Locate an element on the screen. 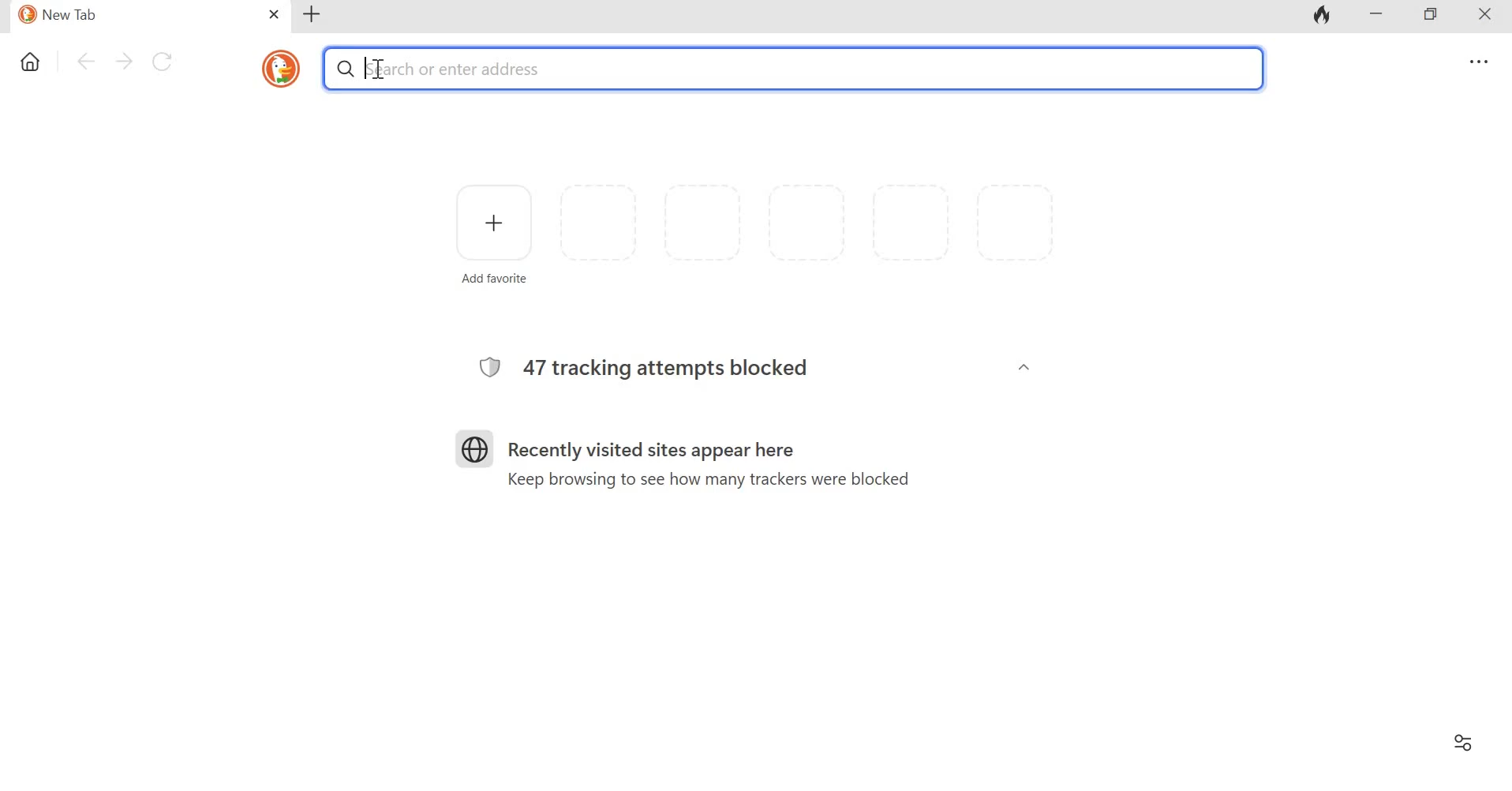  duckduckgo icon is located at coordinates (277, 67).